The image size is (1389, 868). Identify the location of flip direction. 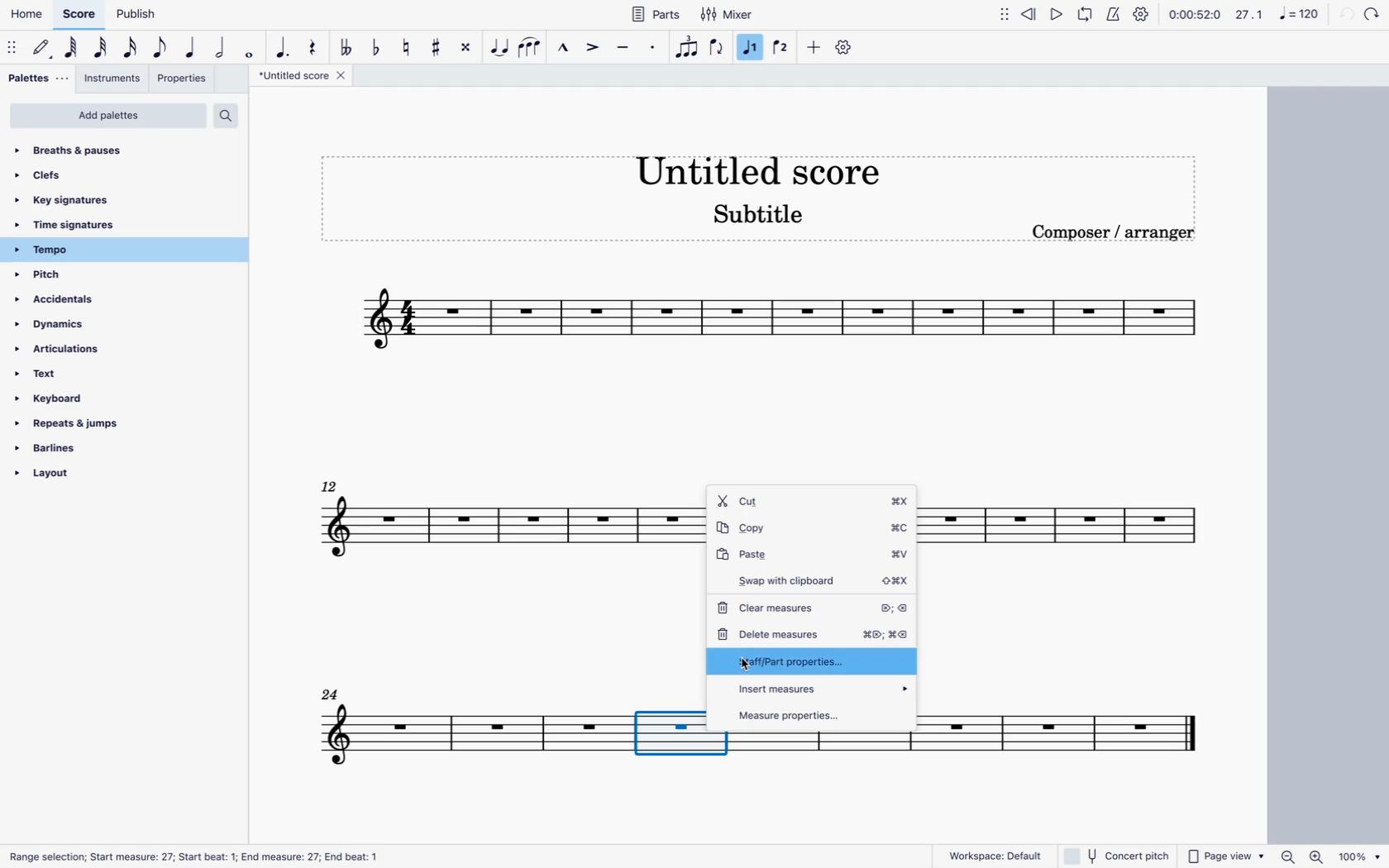
(719, 48).